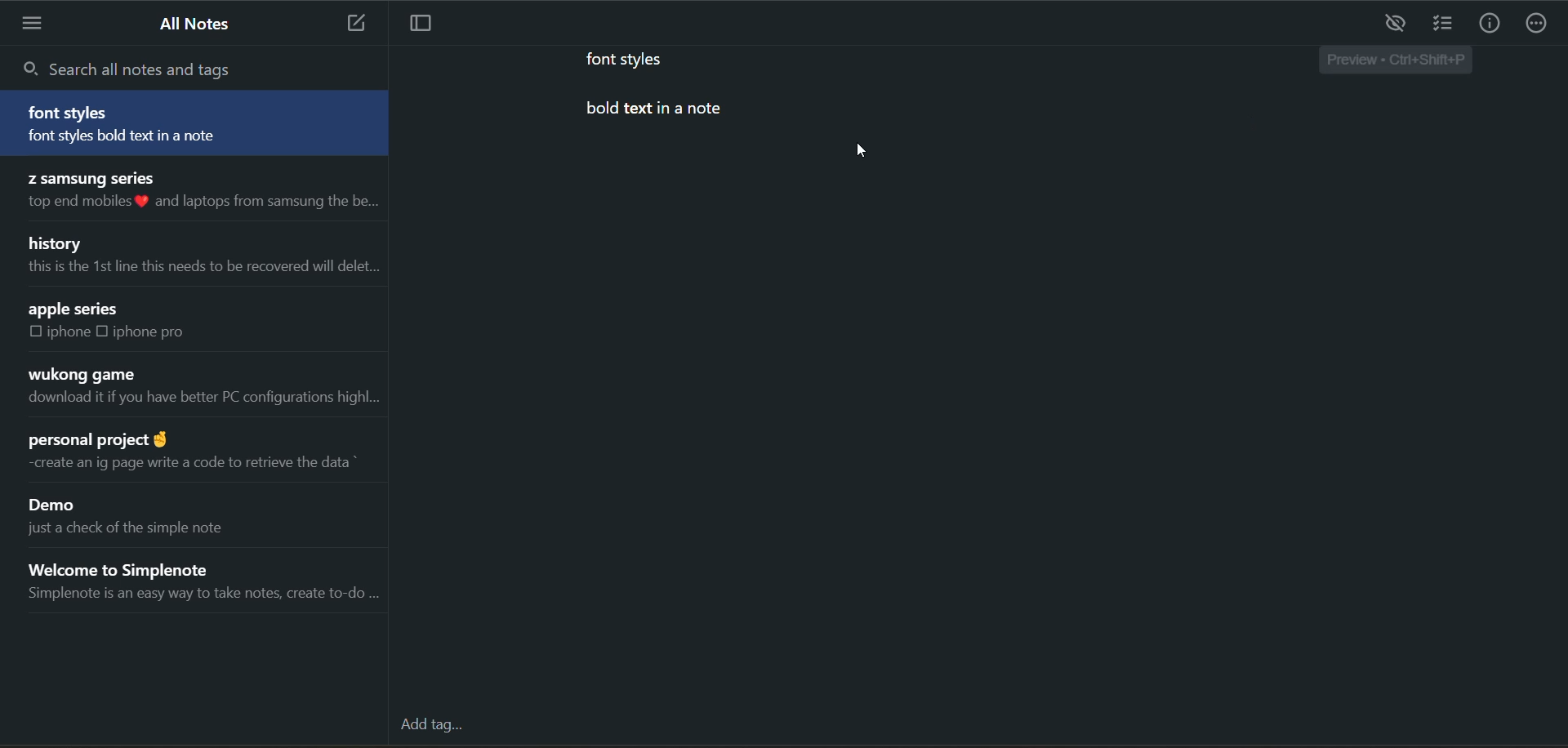  Describe the element at coordinates (860, 151) in the screenshot. I see `cursor` at that location.